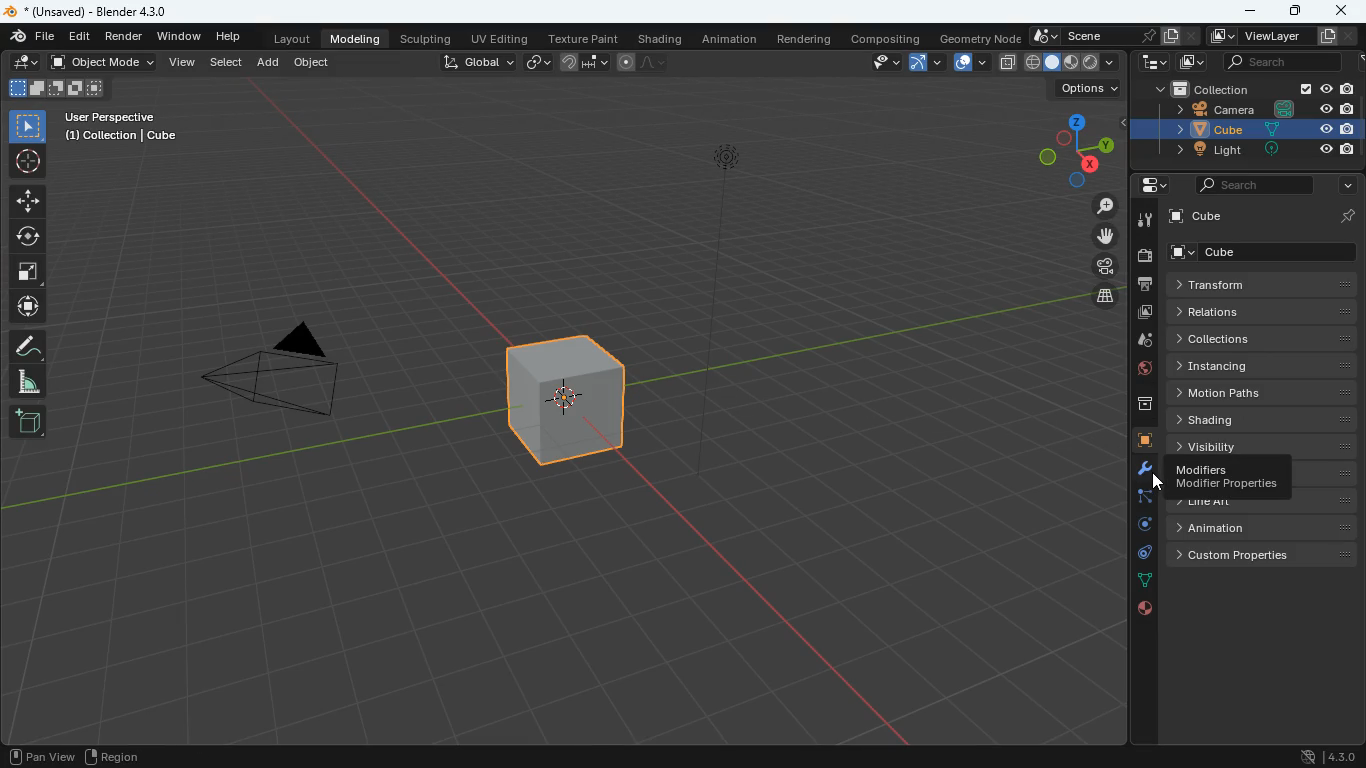 This screenshot has height=768, width=1366. I want to click on camera, so click(1255, 112).